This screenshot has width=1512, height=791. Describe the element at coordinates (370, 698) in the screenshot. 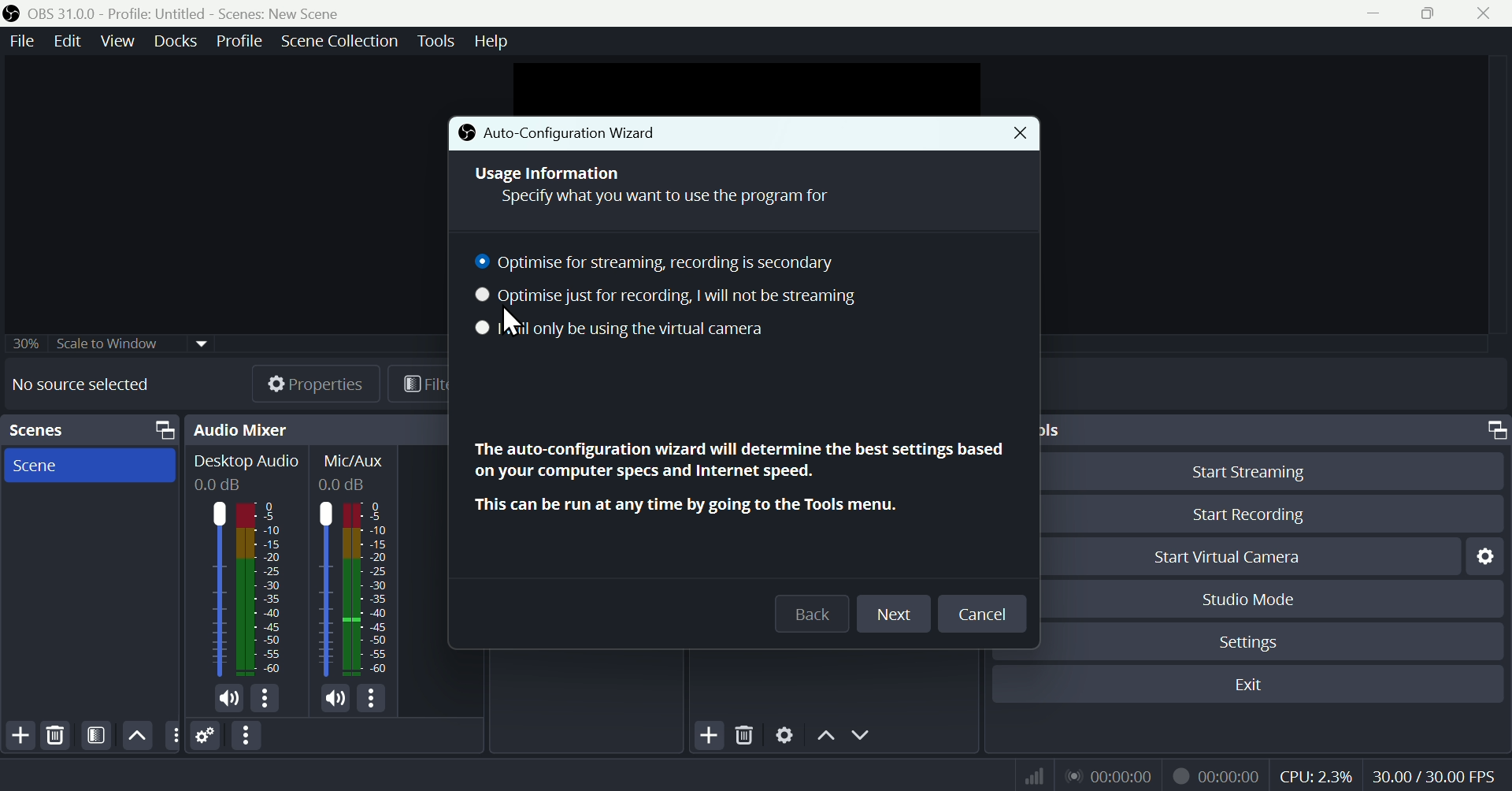

I see `options` at that location.